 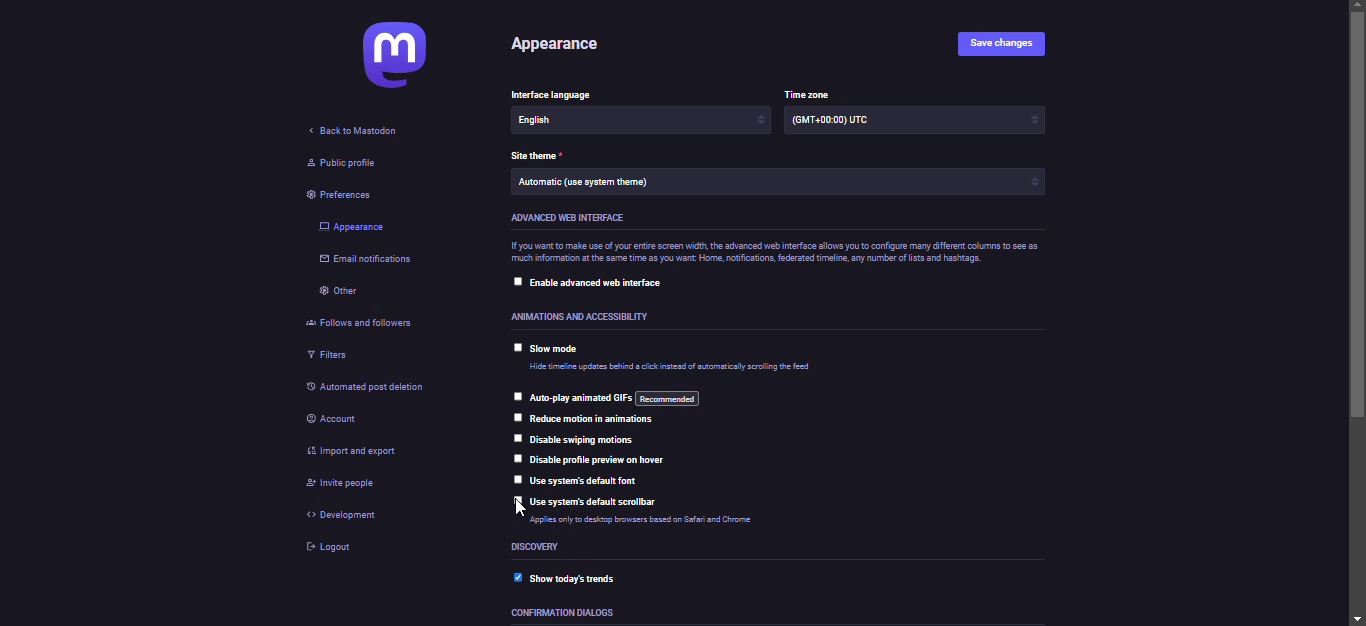 I want to click on language, so click(x=557, y=92).